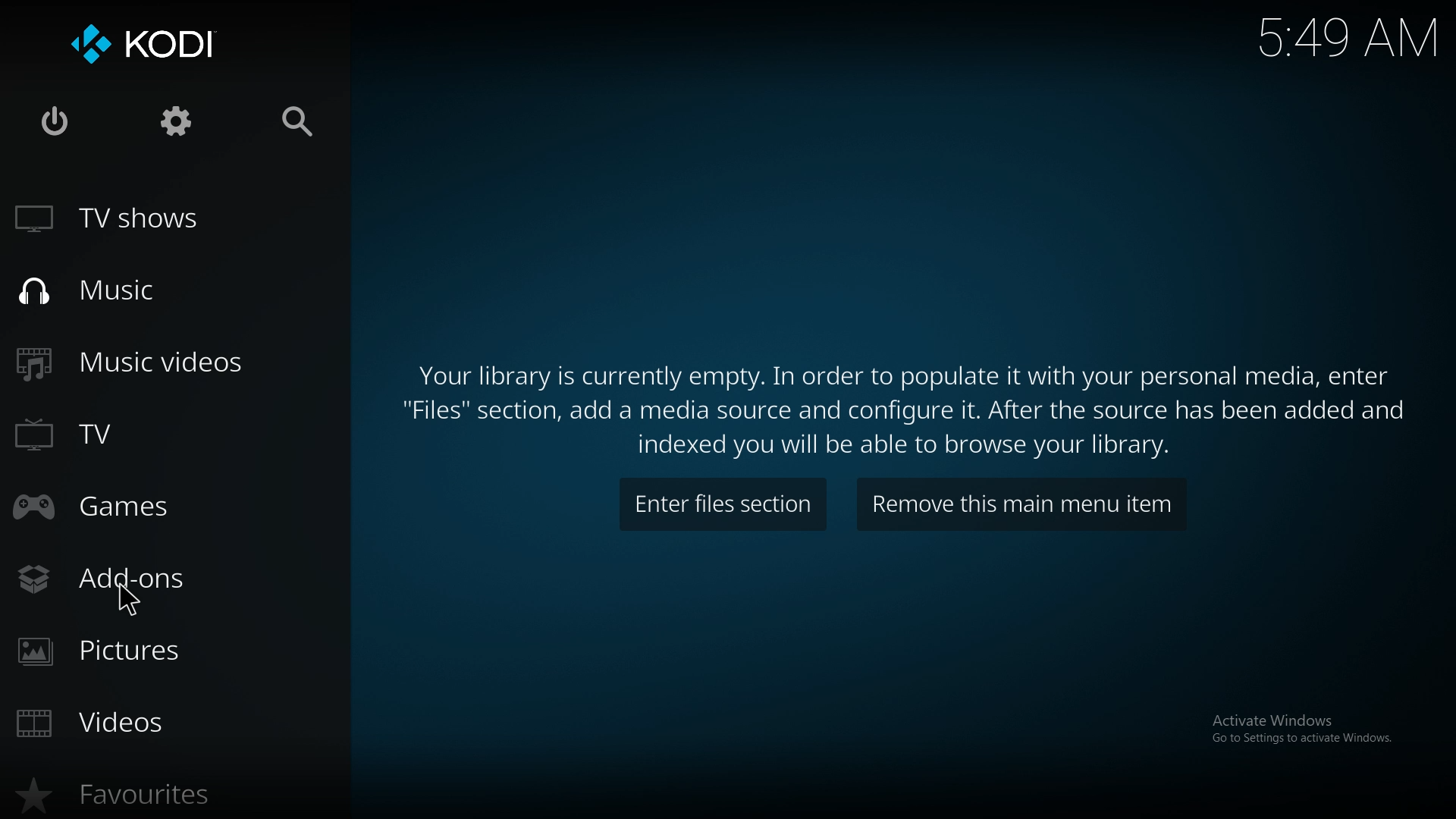 This screenshot has width=1456, height=819. What do you see at coordinates (303, 122) in the screenshot?
I see `search` at bounding box center [303, 122].